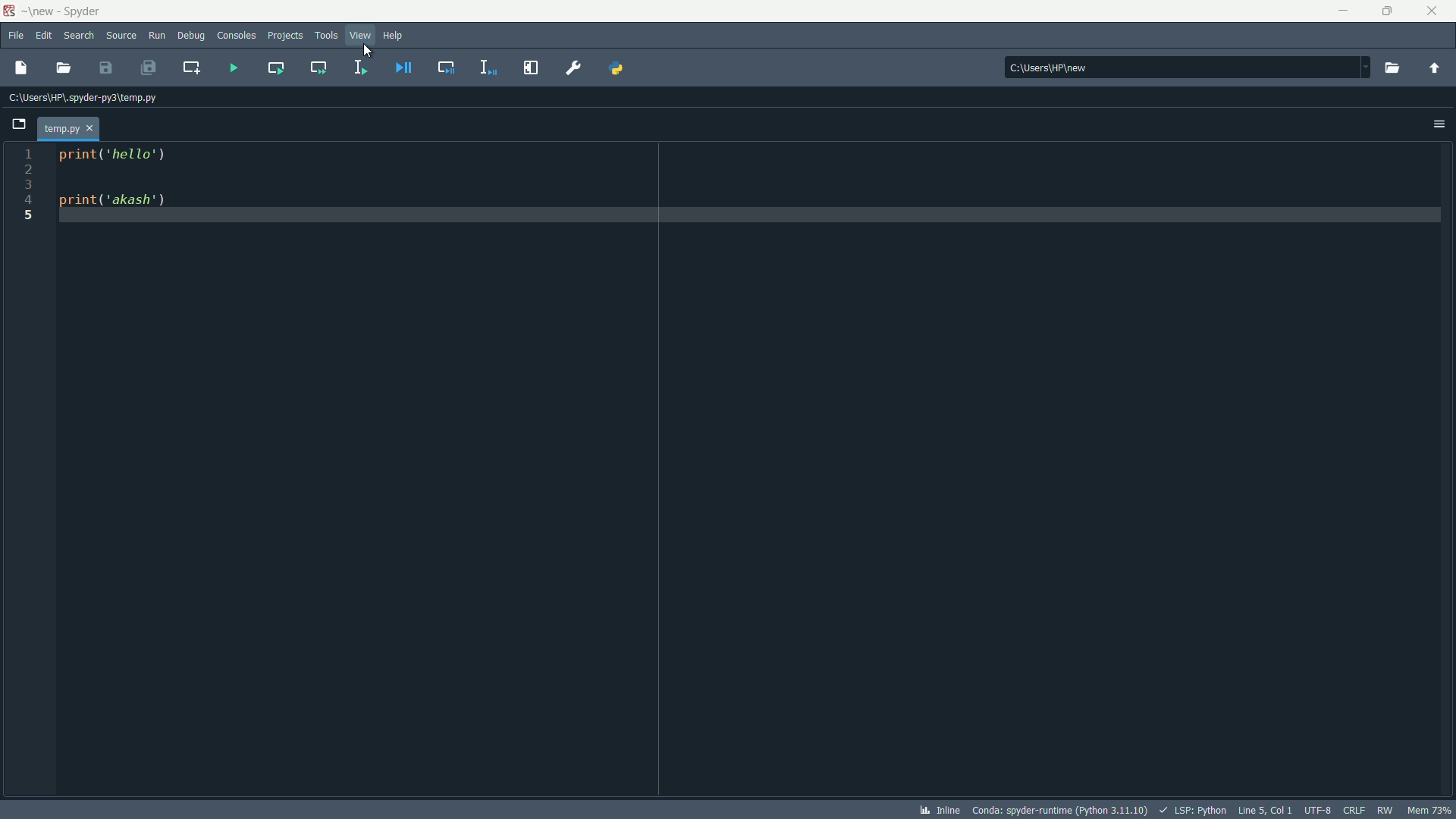  What do you see at coordinates (1194, 811) in the screenshot?
I see `lsp:python` at bounding box center [1194, 811].